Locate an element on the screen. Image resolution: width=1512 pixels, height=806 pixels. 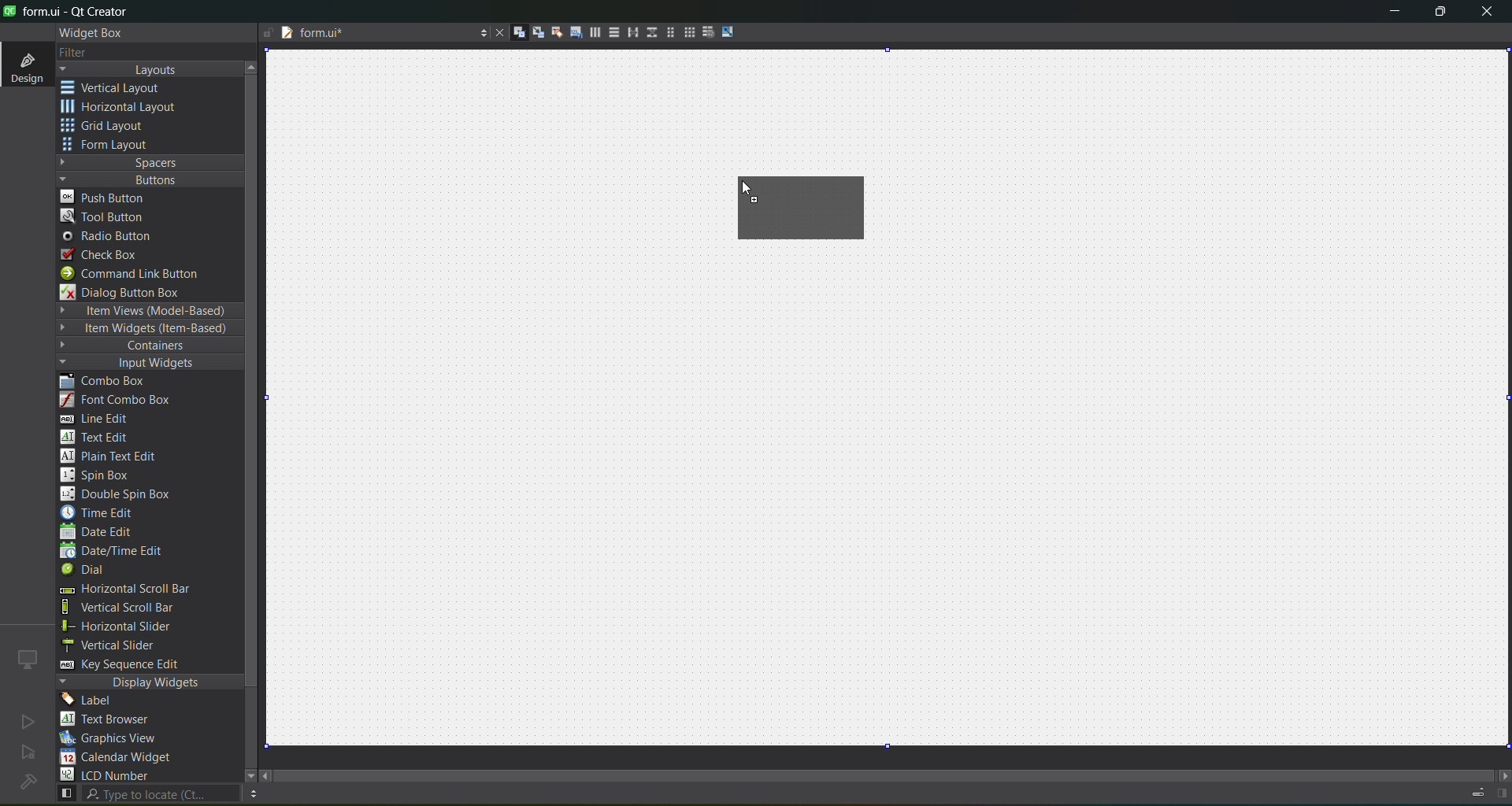
horizontal splitter is located at coordinates (628, 33).